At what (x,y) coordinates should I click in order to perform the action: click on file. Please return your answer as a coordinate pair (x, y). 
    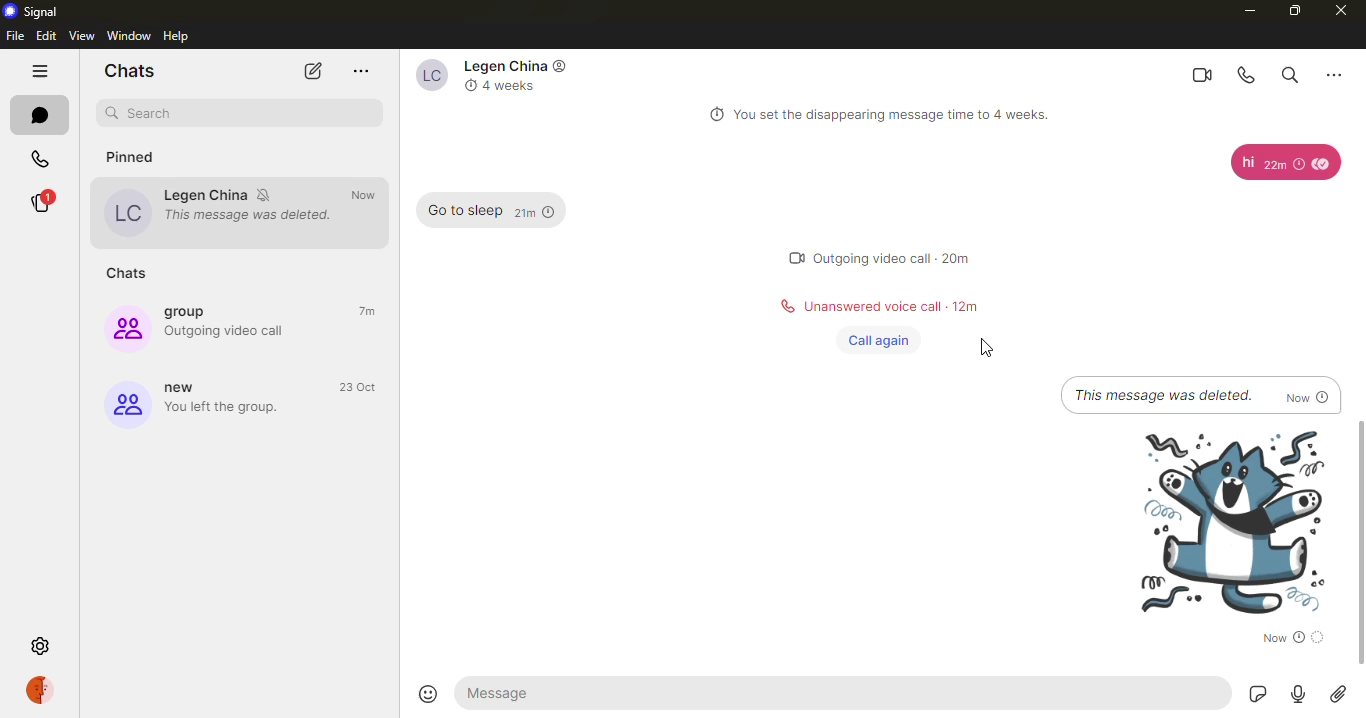
    Looking at the image, I should click on (14, 36).